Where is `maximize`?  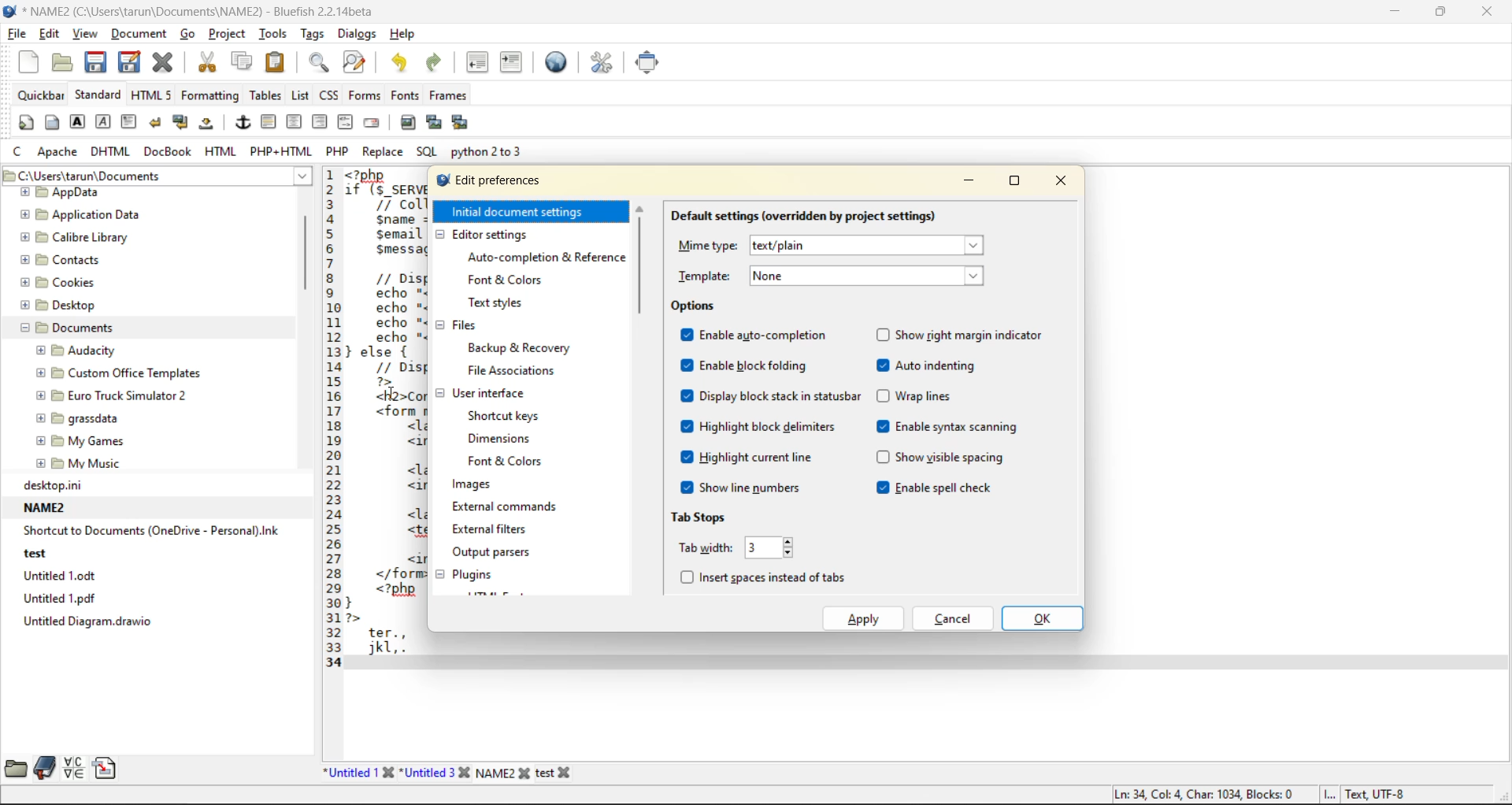
maximize is located at coordinates (1017, 180).